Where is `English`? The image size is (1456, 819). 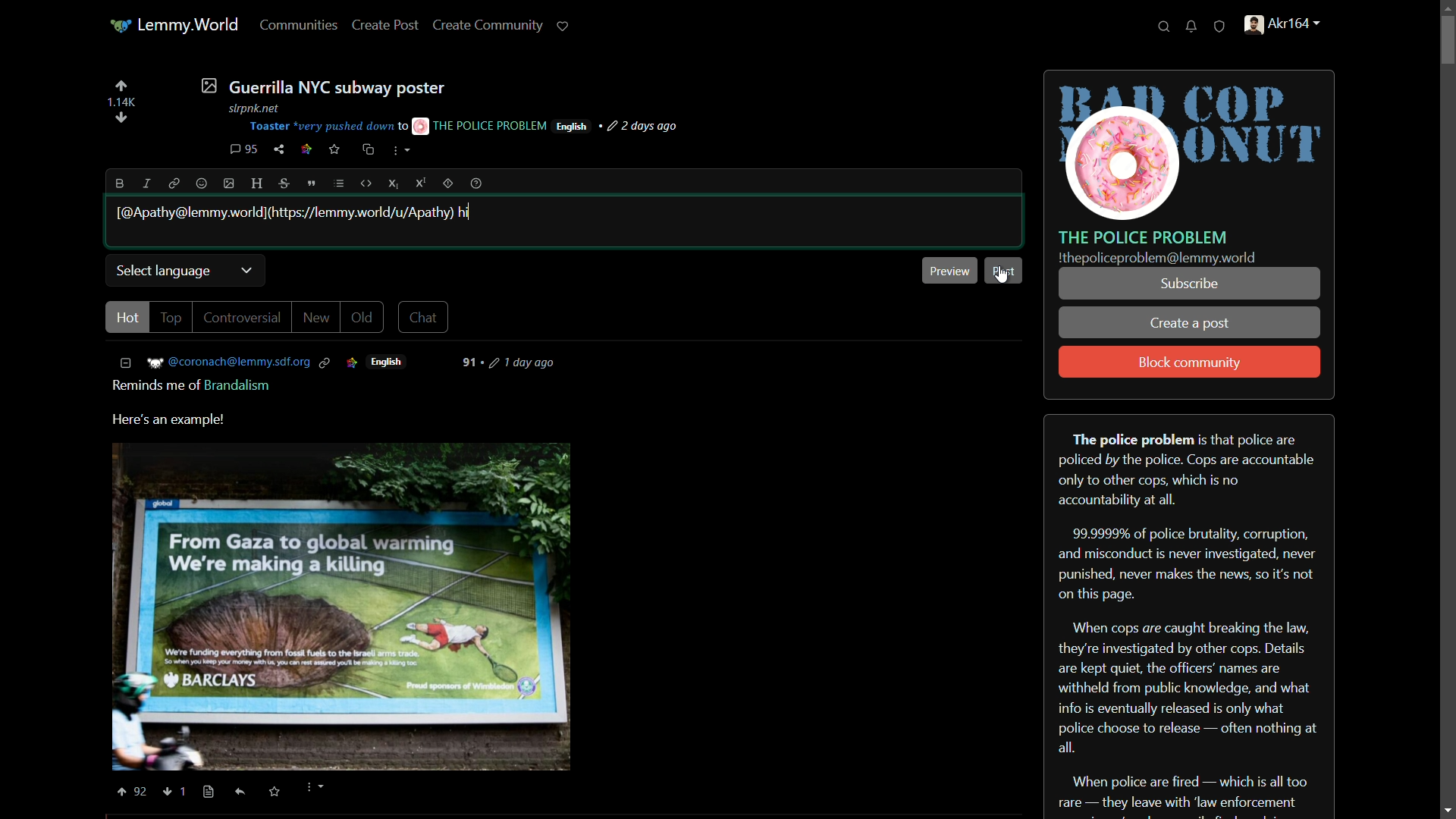
English is located at coordinates (389, 362).